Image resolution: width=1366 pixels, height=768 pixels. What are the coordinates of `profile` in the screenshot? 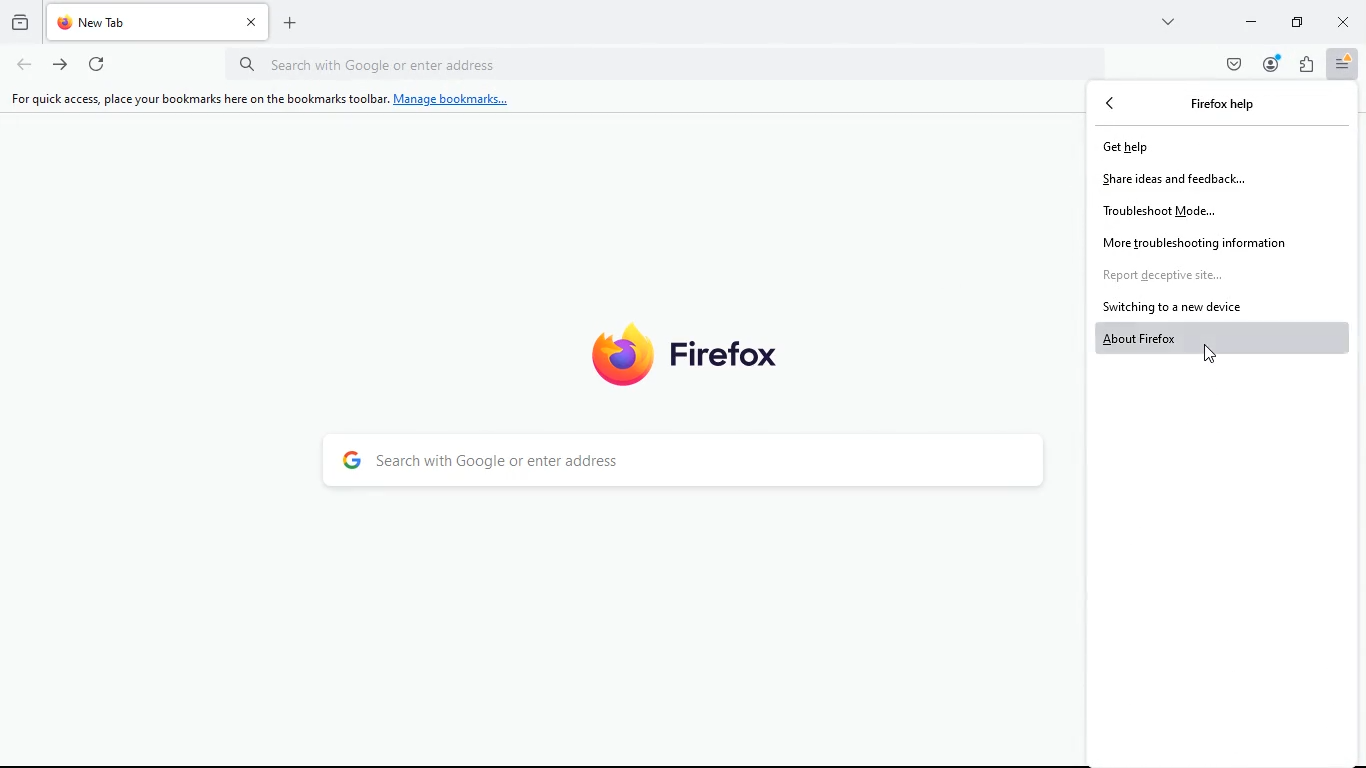 It's located at (1270, 65).